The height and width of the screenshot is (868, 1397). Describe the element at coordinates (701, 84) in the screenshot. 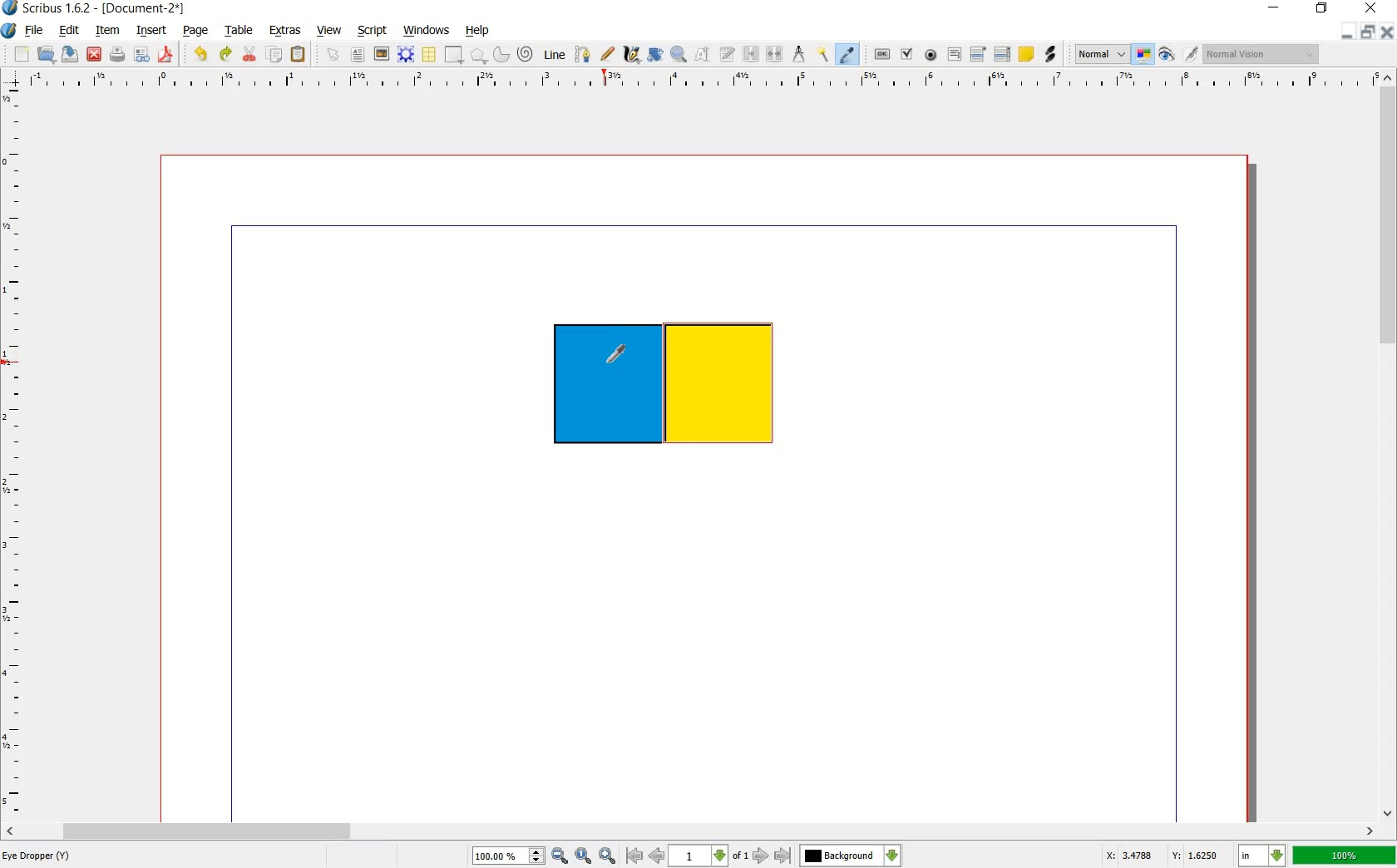

I see `ruler` at that location.